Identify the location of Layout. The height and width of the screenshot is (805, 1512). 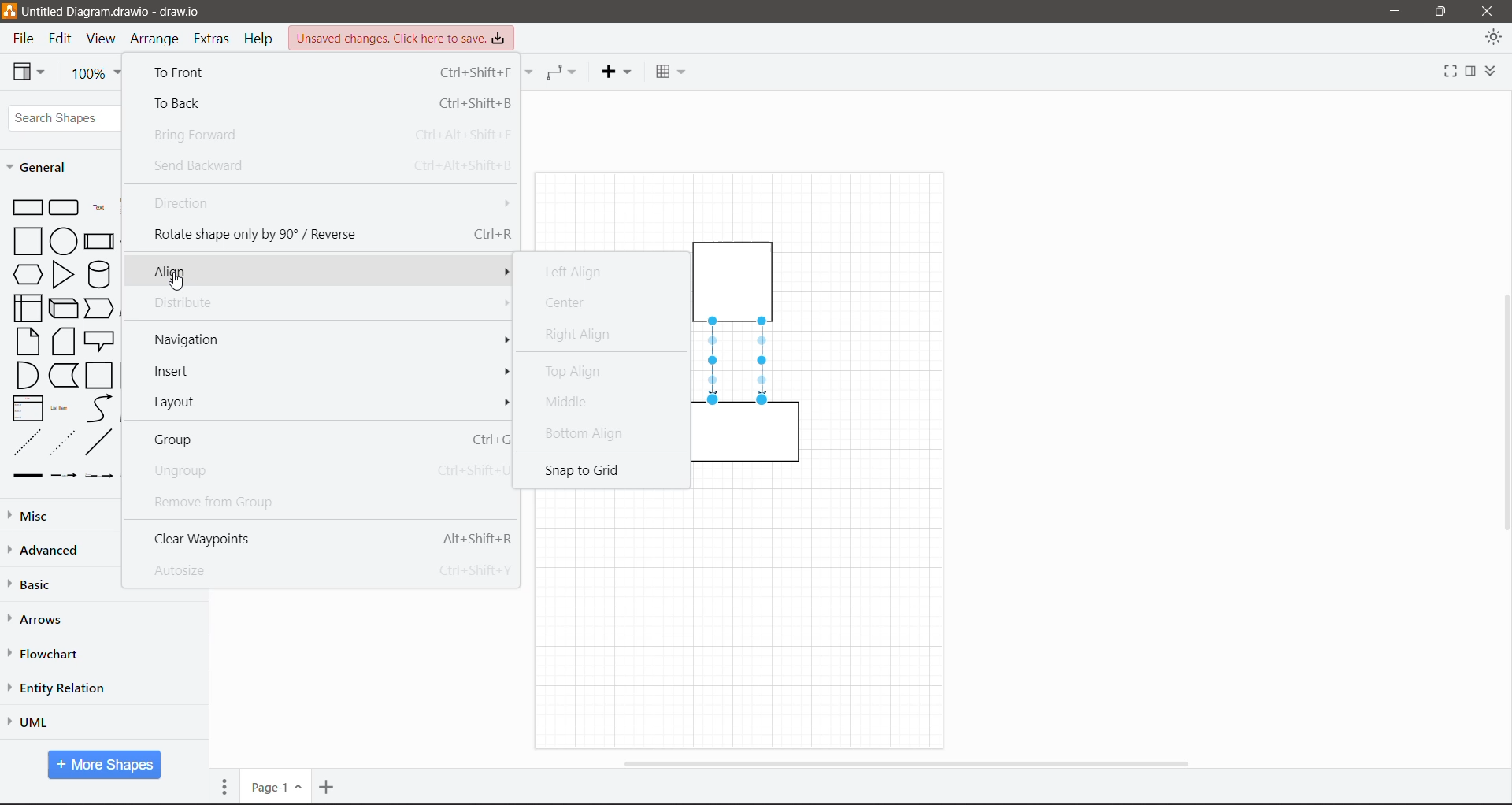
(332, 402).